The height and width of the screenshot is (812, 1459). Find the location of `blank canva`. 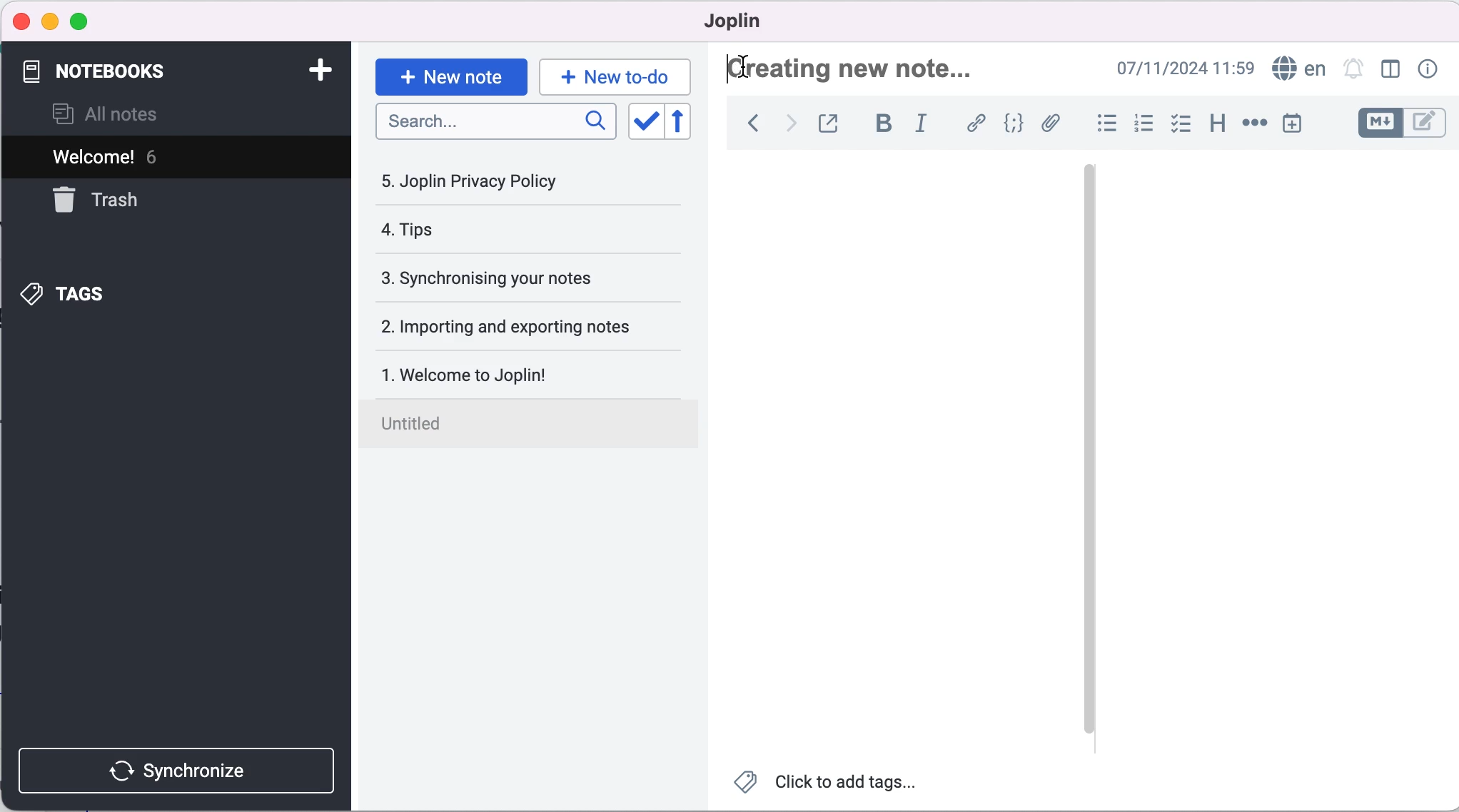

blank canva is located at coordinates (1248, 448).